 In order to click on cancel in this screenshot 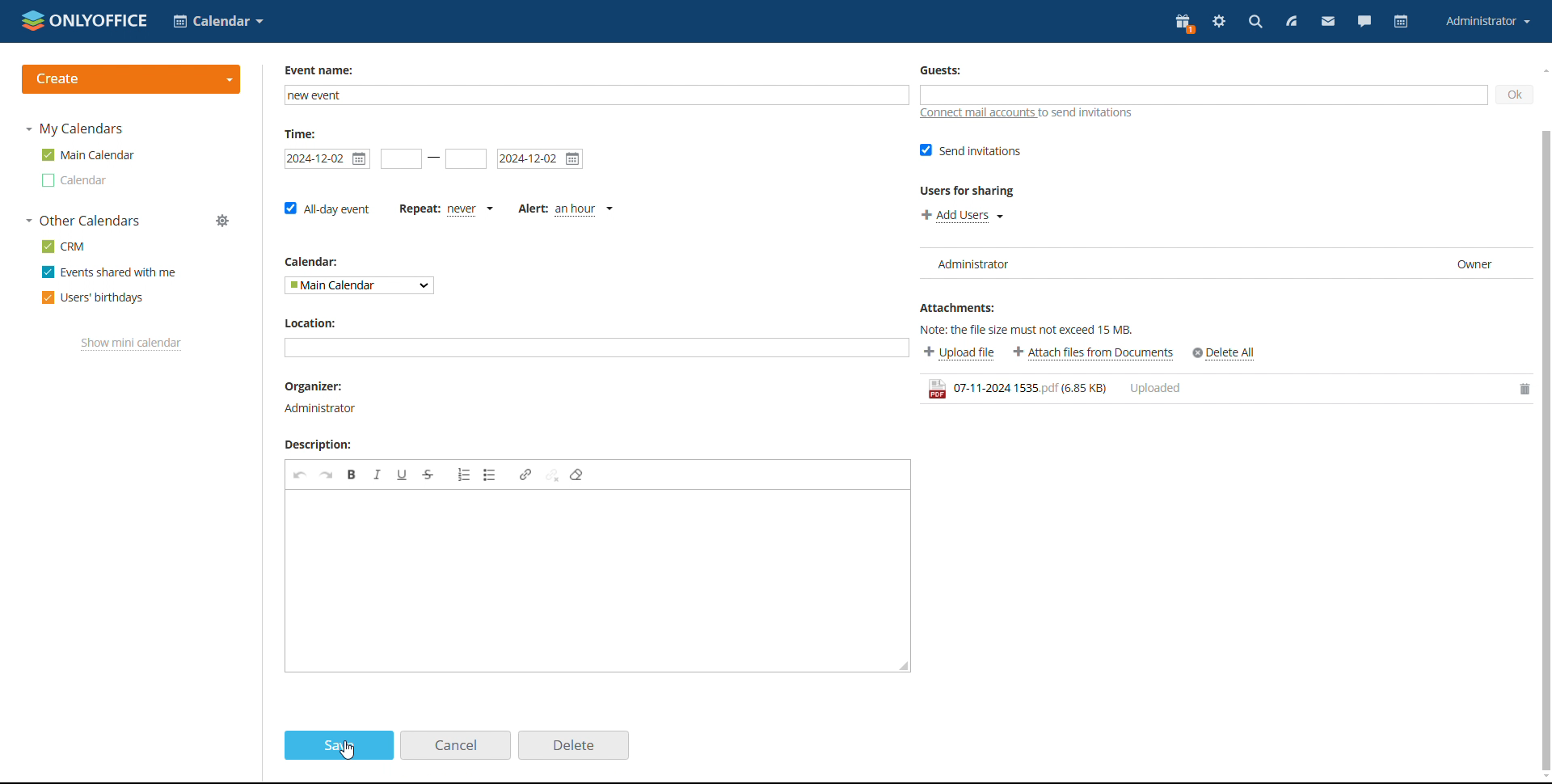, I will do `click(456, 745)`.